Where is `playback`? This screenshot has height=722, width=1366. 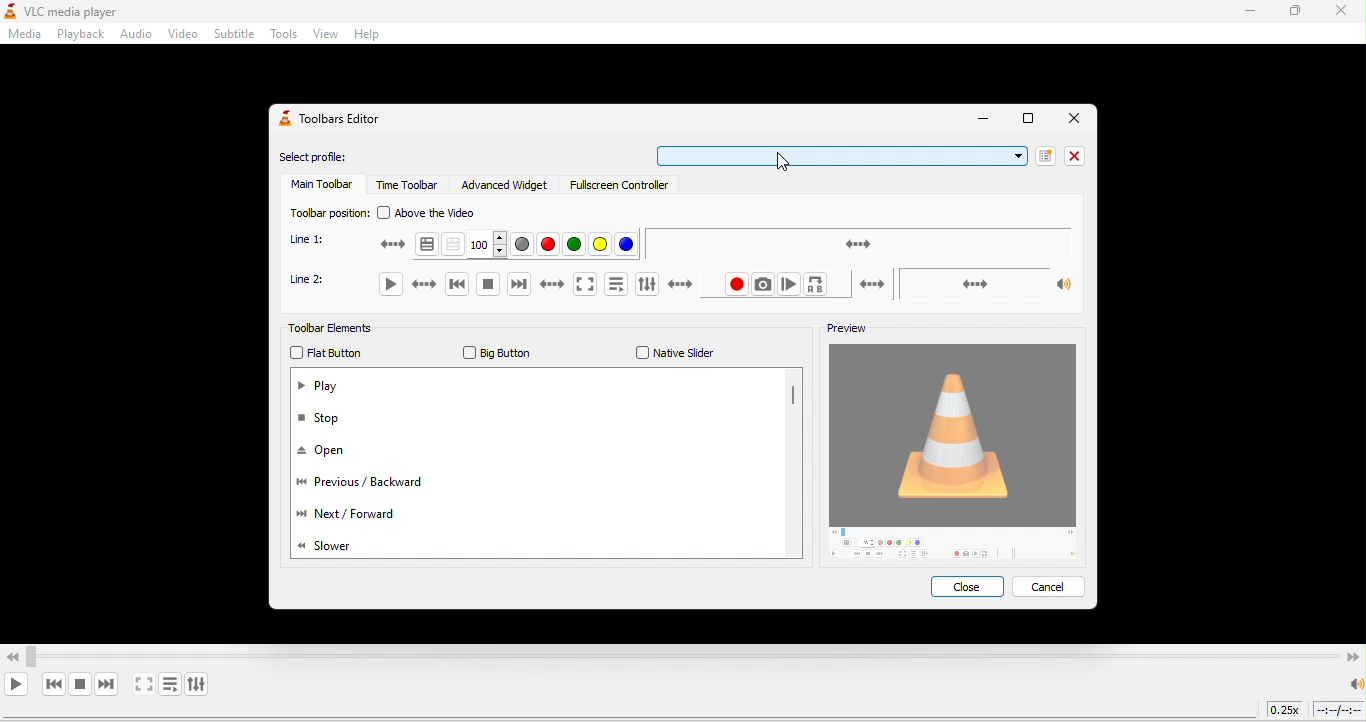
playback is located at coordinates (77, 34).